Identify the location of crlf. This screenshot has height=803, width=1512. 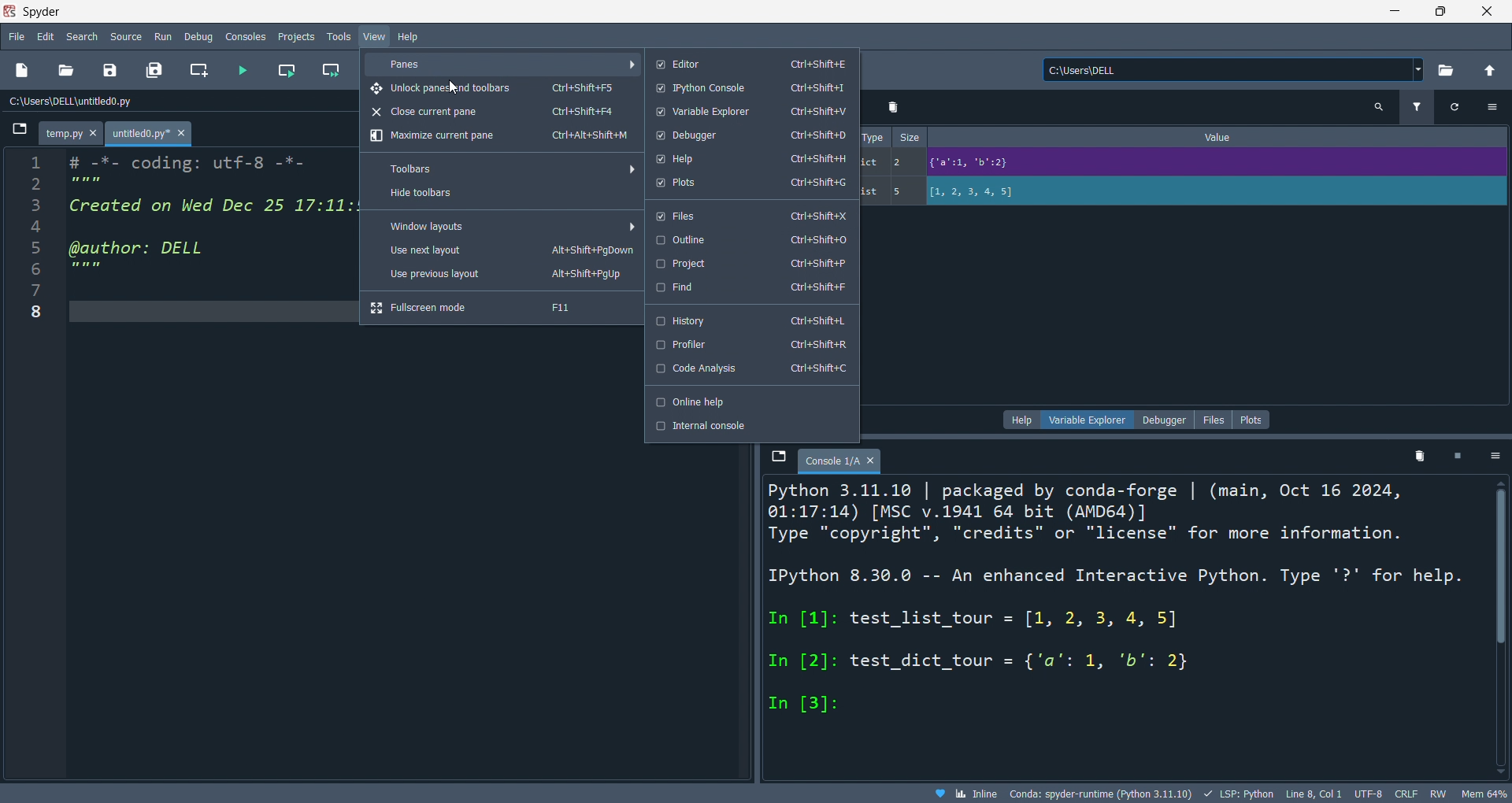
(1404, 794).